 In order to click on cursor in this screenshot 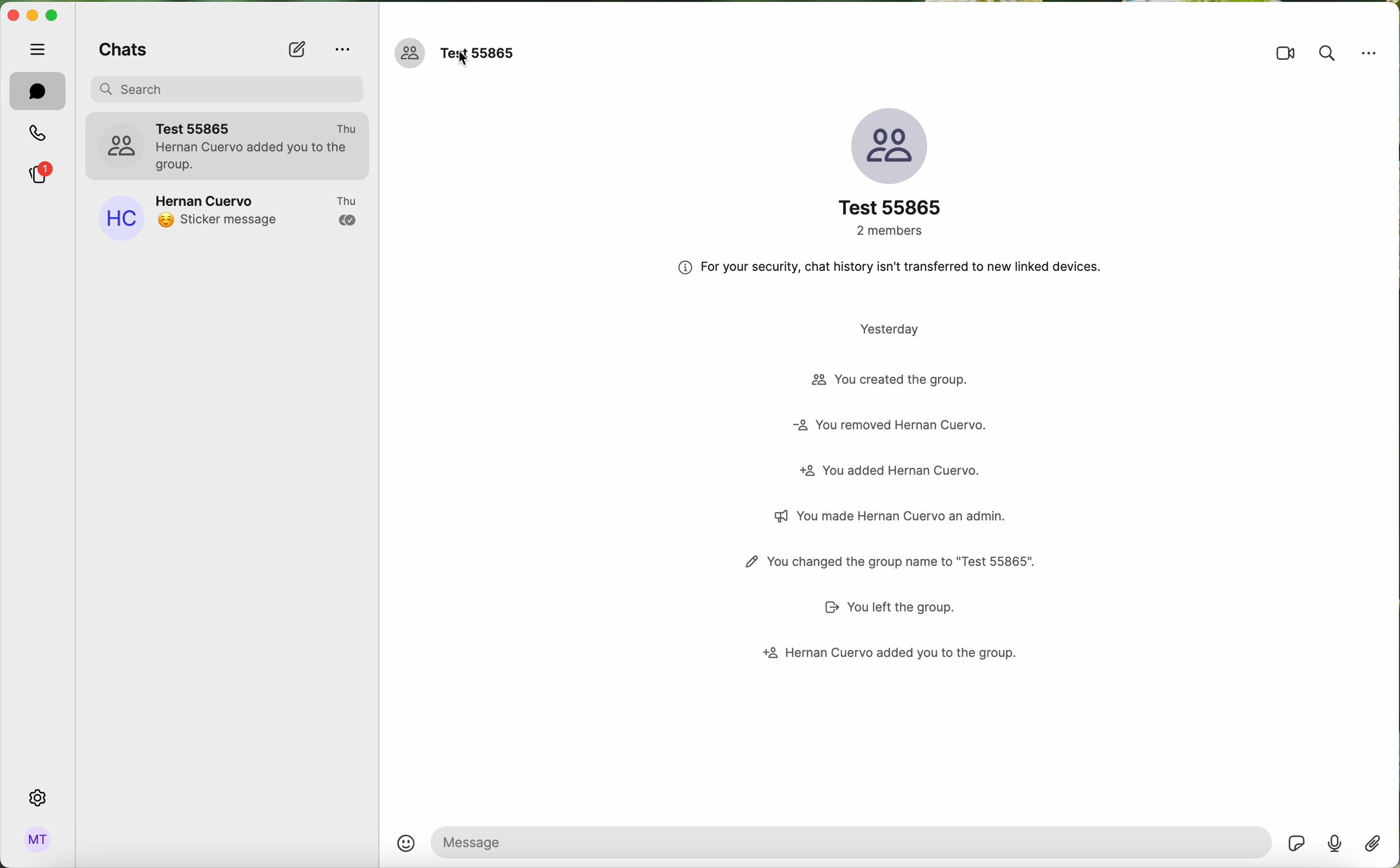, I will do `click(463, 59)`.